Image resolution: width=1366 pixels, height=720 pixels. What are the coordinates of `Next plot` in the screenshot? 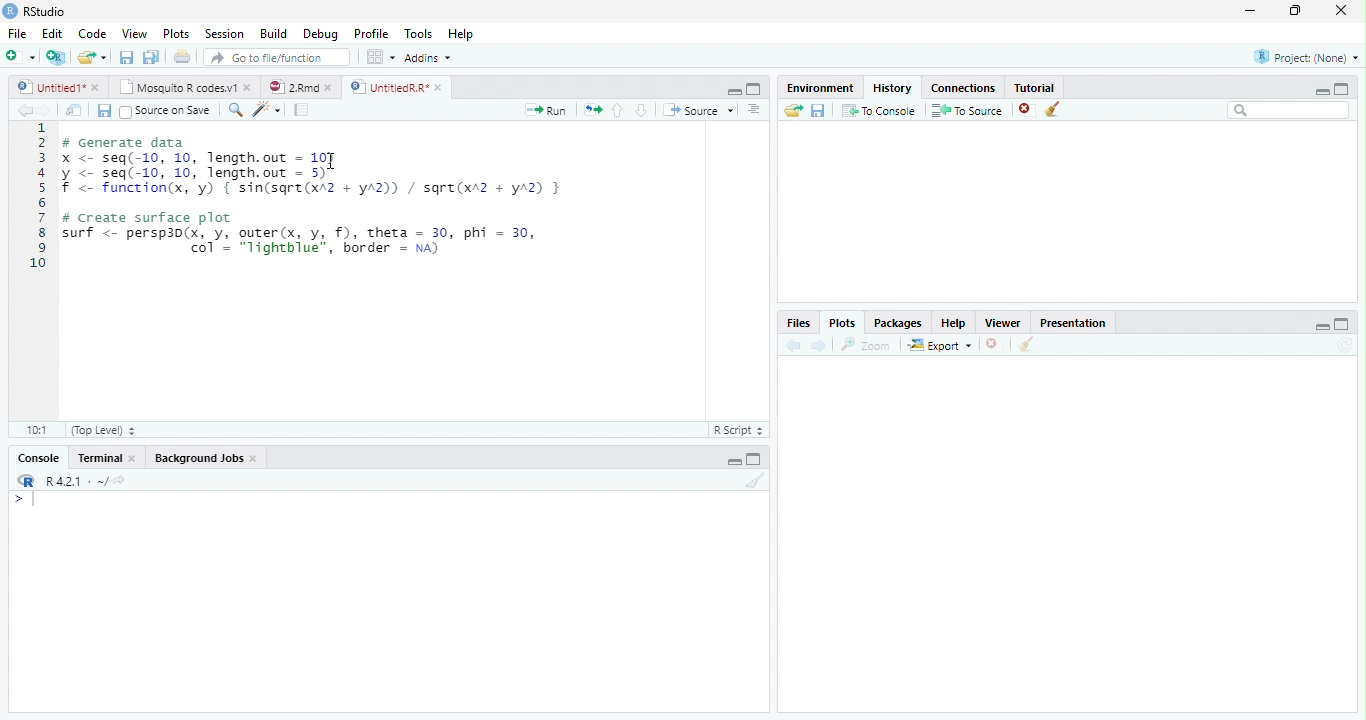 It's located at (819, 345).